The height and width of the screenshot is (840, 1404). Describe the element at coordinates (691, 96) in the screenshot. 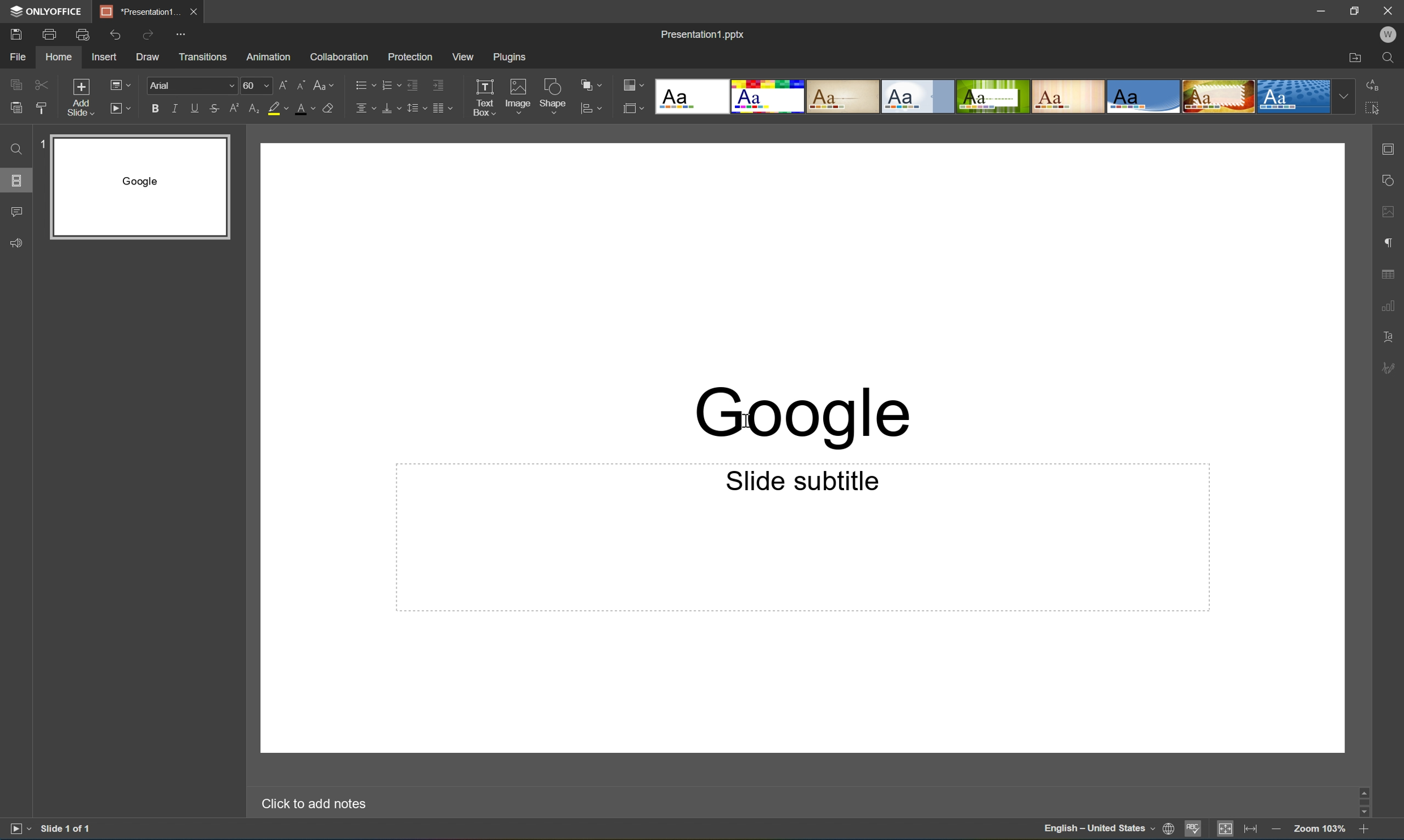

I see `Blank` at that location.